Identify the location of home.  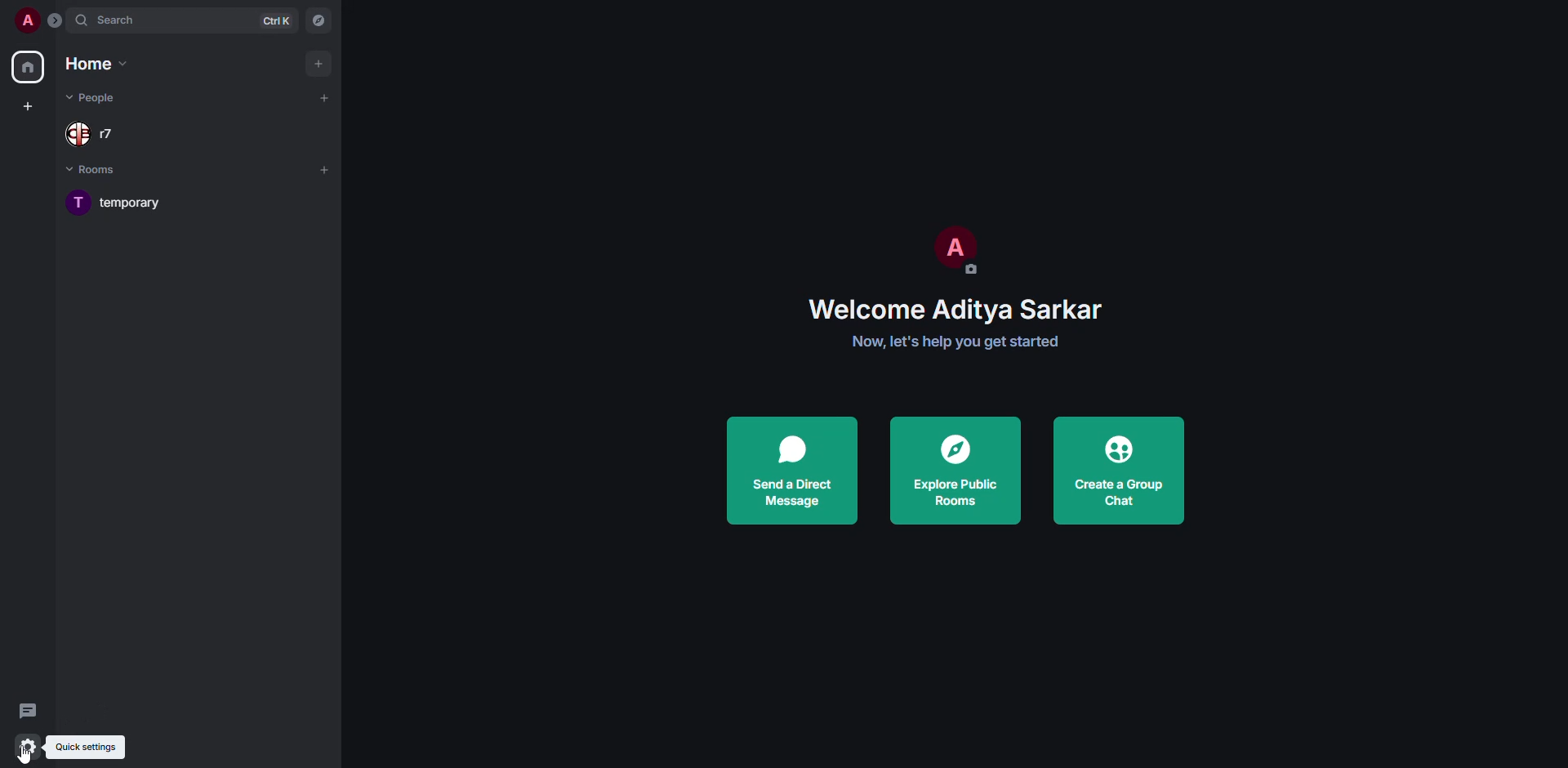
(100, 65).